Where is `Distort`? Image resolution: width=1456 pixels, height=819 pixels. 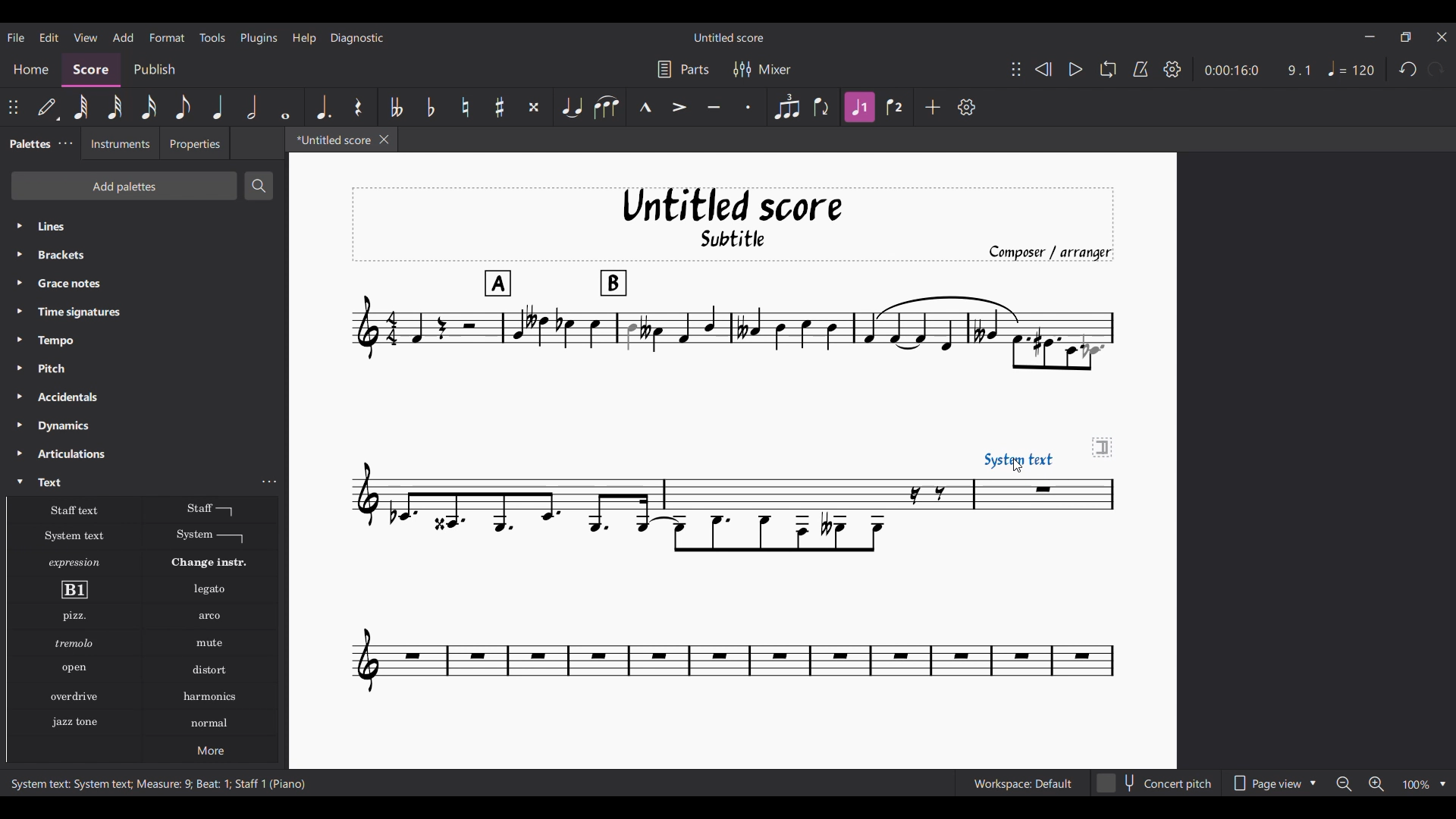 Distort is located at coordinates (210, 670).